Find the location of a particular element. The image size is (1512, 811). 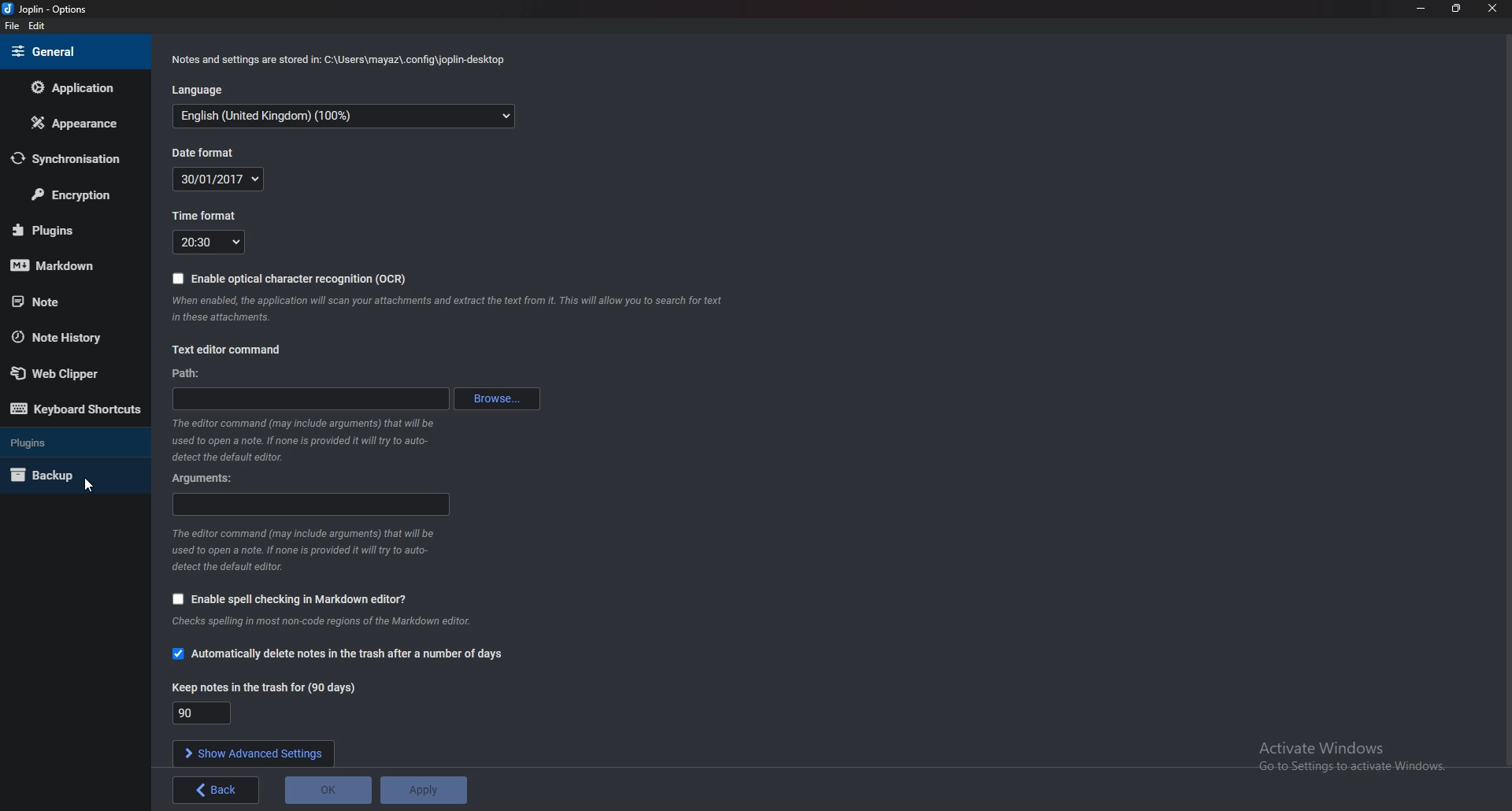

Info is located at coordinates (312, 548).